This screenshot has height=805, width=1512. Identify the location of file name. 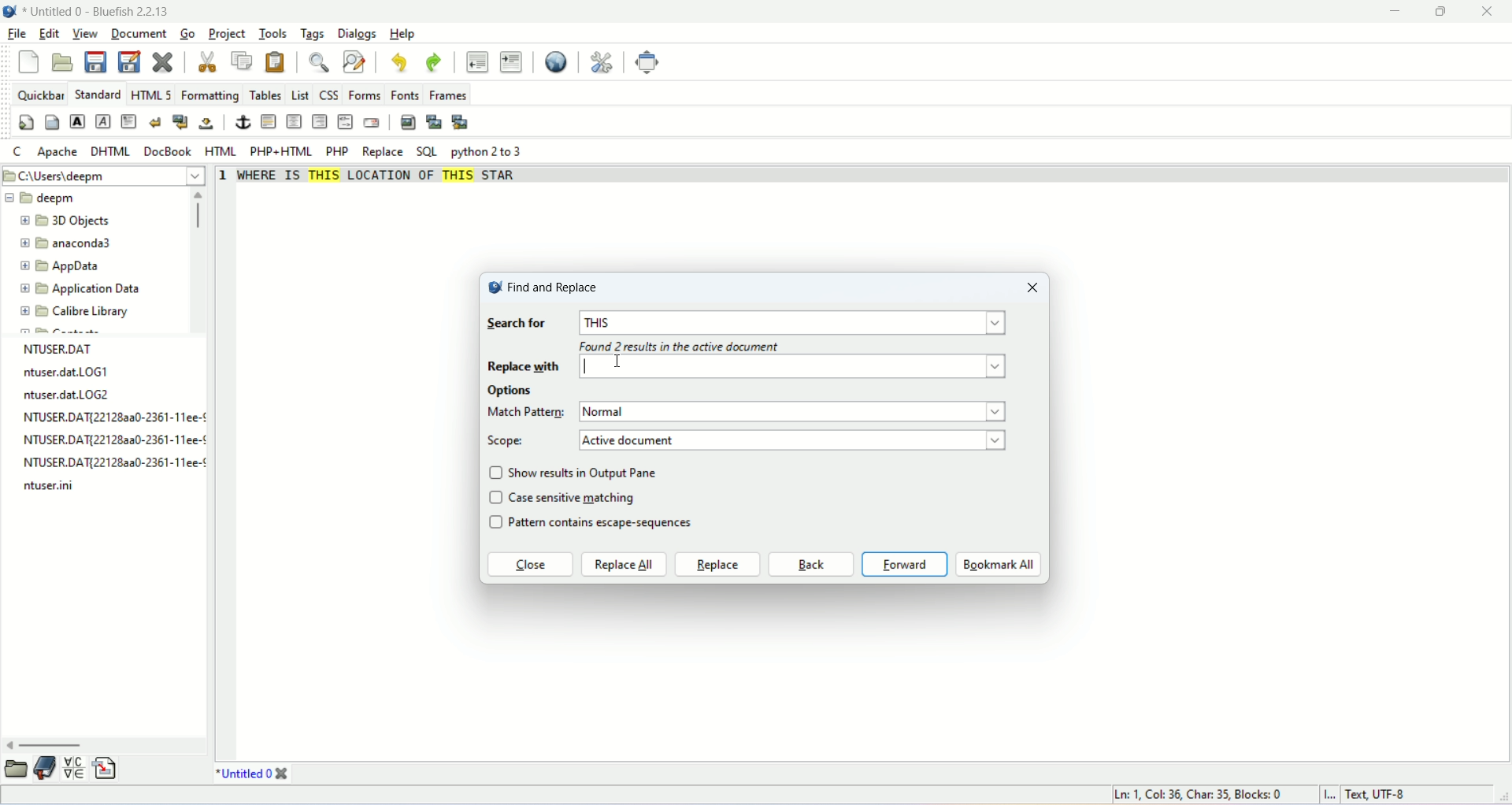
(50, 484).